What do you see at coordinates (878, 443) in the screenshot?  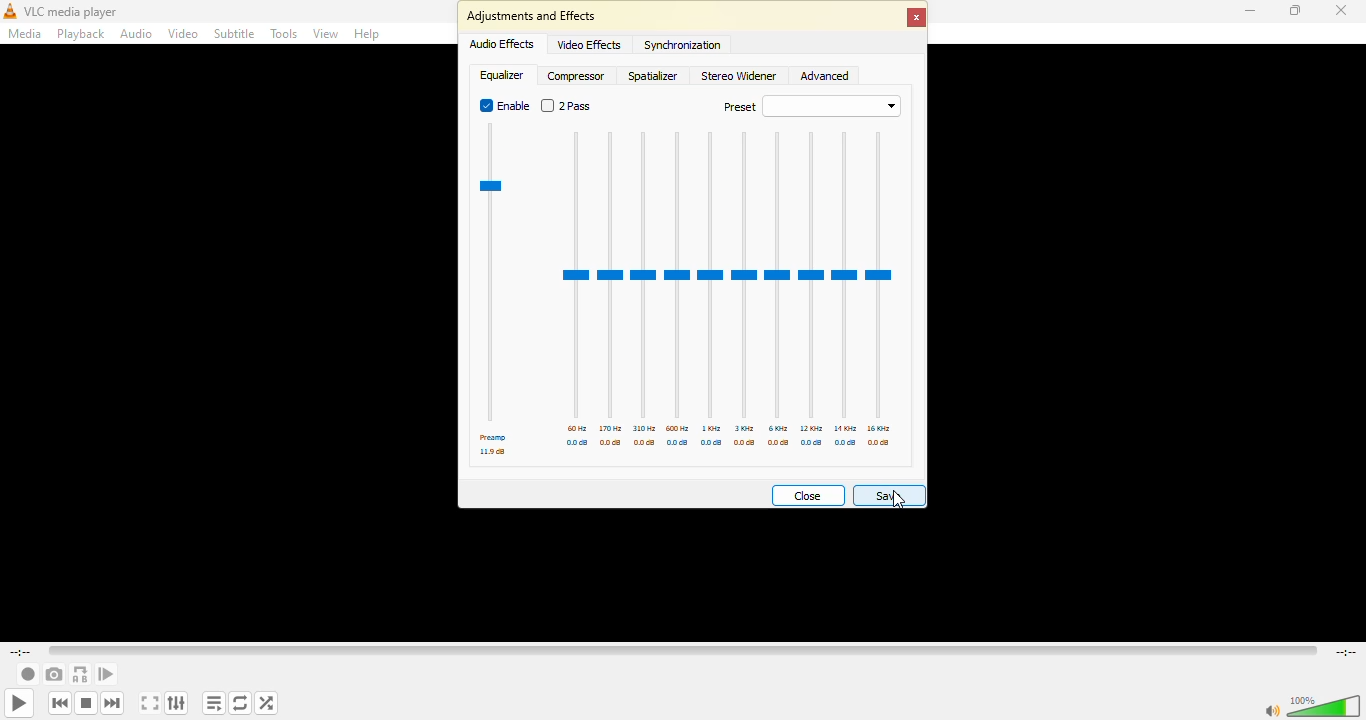 I see `db` at bounding box center [878, 443].